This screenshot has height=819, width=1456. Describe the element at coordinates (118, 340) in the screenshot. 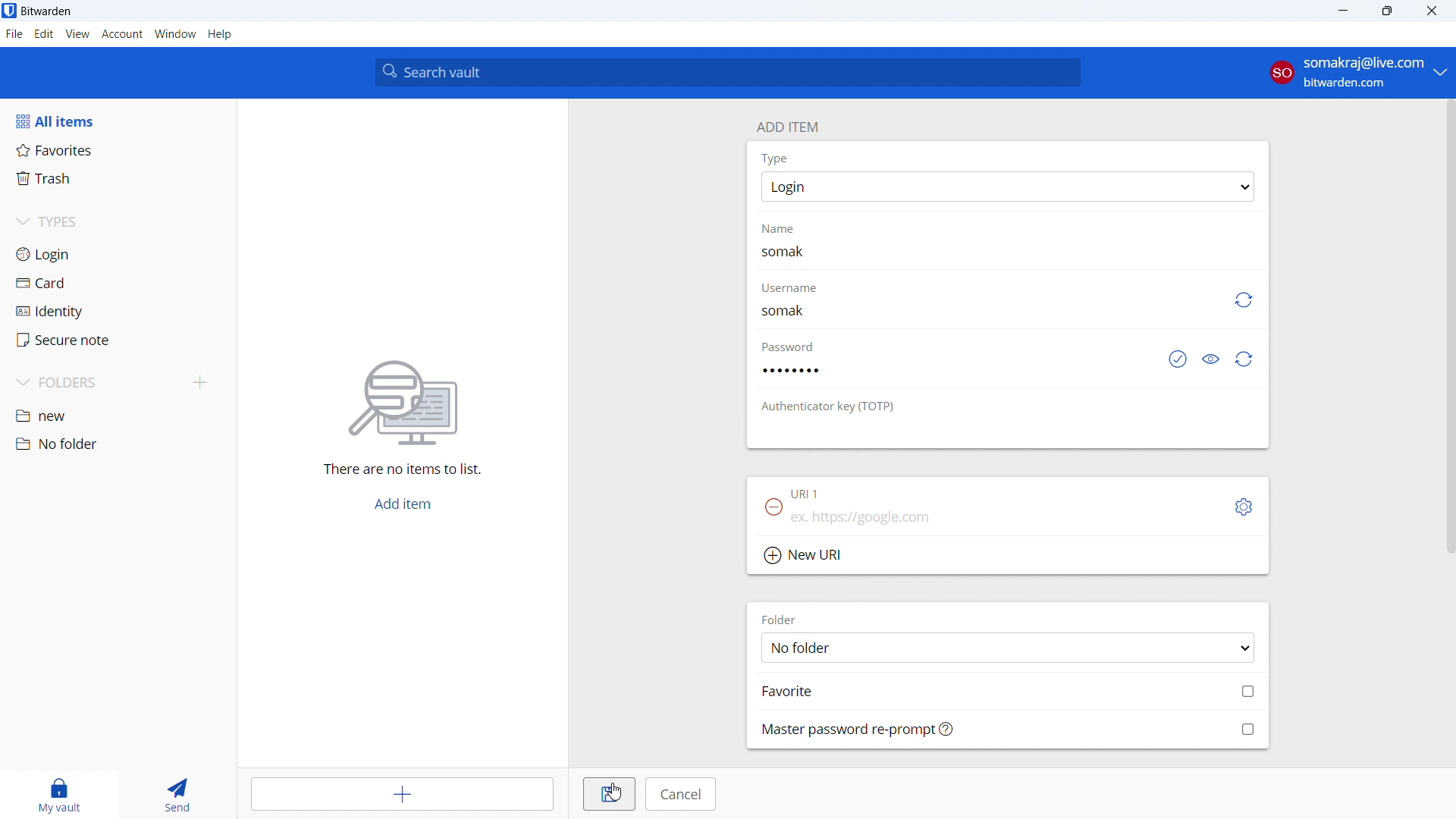

I see `secure note` at that location.